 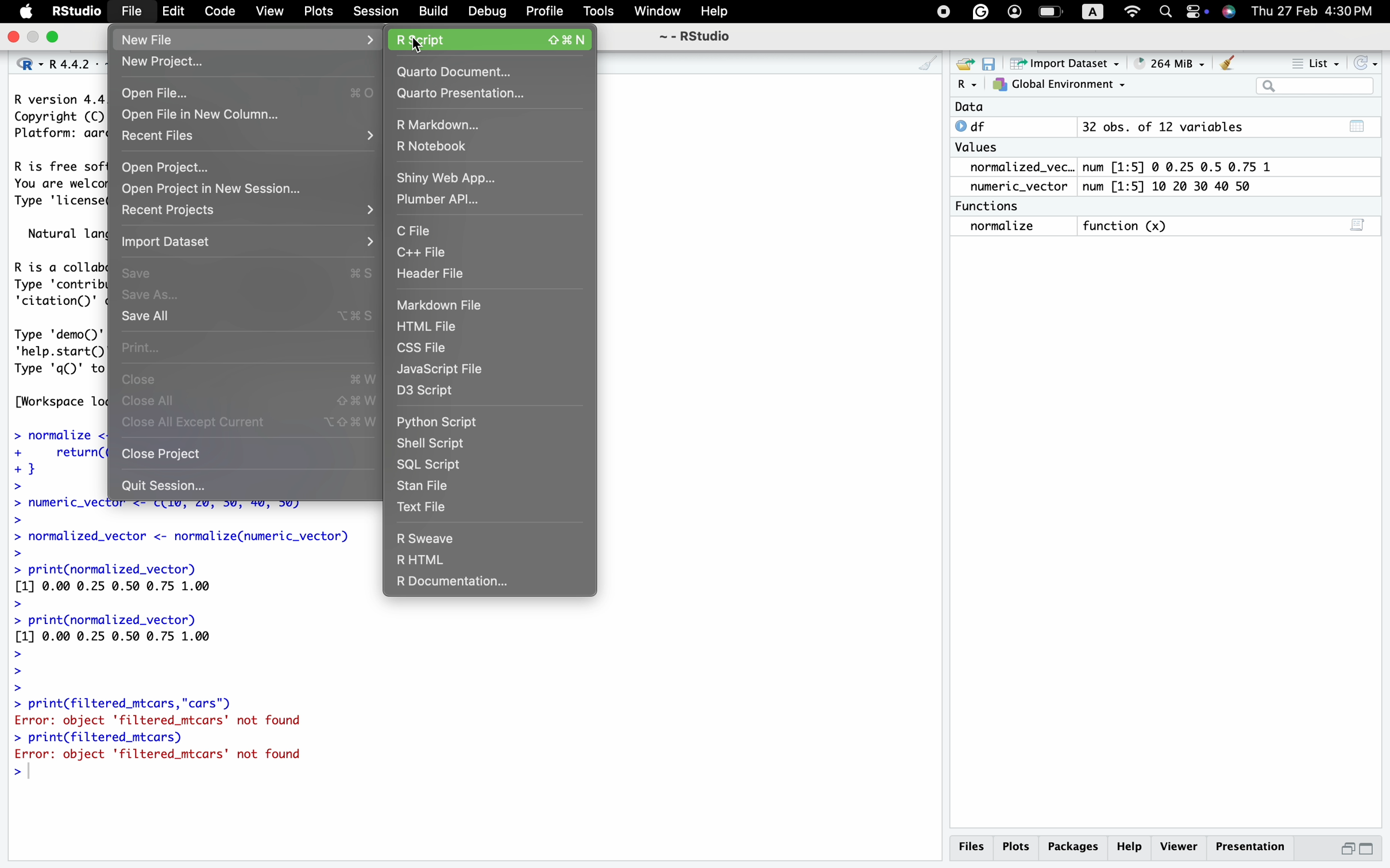 What do you see at coordinates (491, 466) in the screenshot?
I see `sql script` at bounding box center [491, 466].